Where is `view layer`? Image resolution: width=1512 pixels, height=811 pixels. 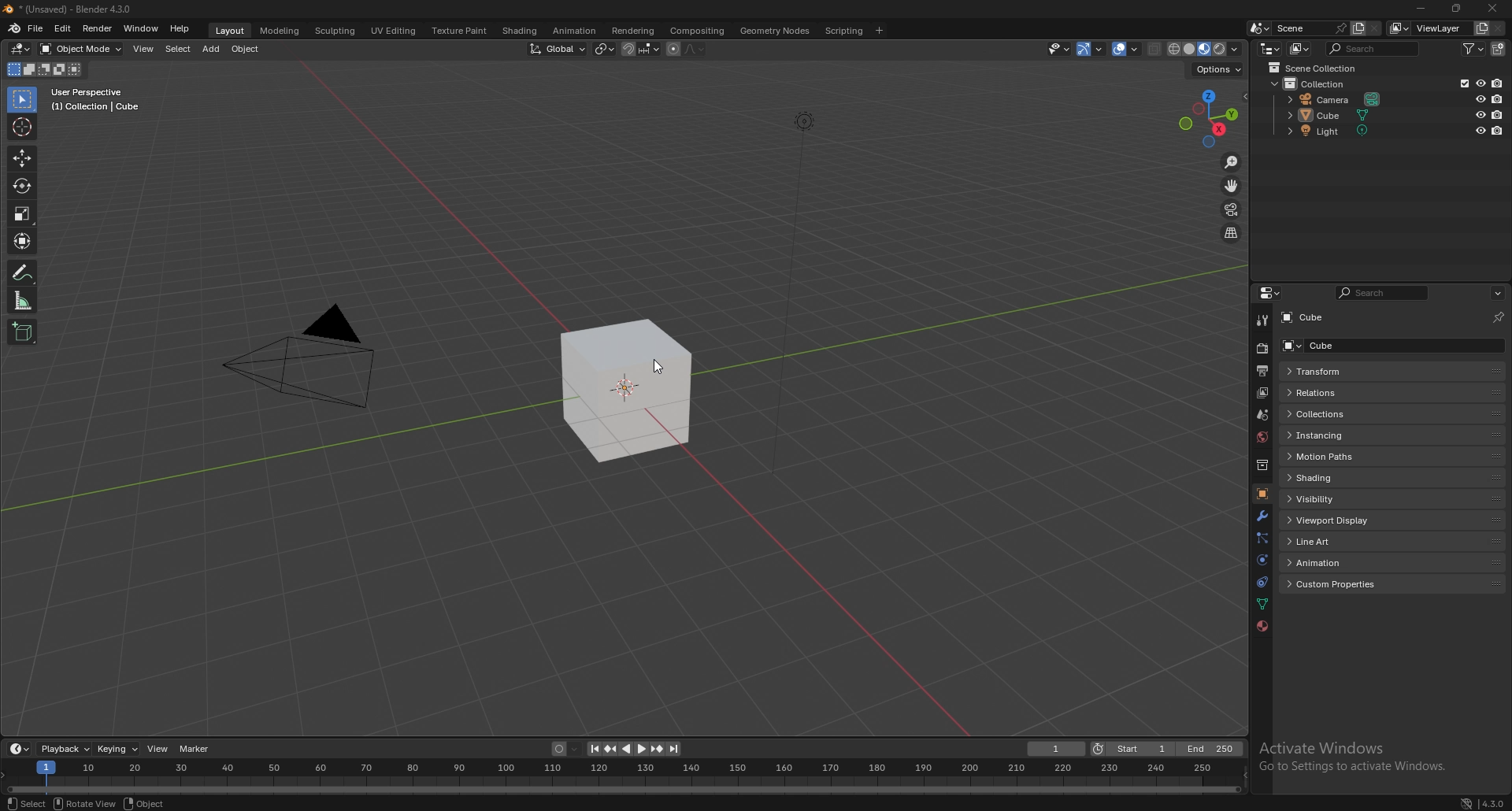
view layer is located at coordinates (1262, 393).